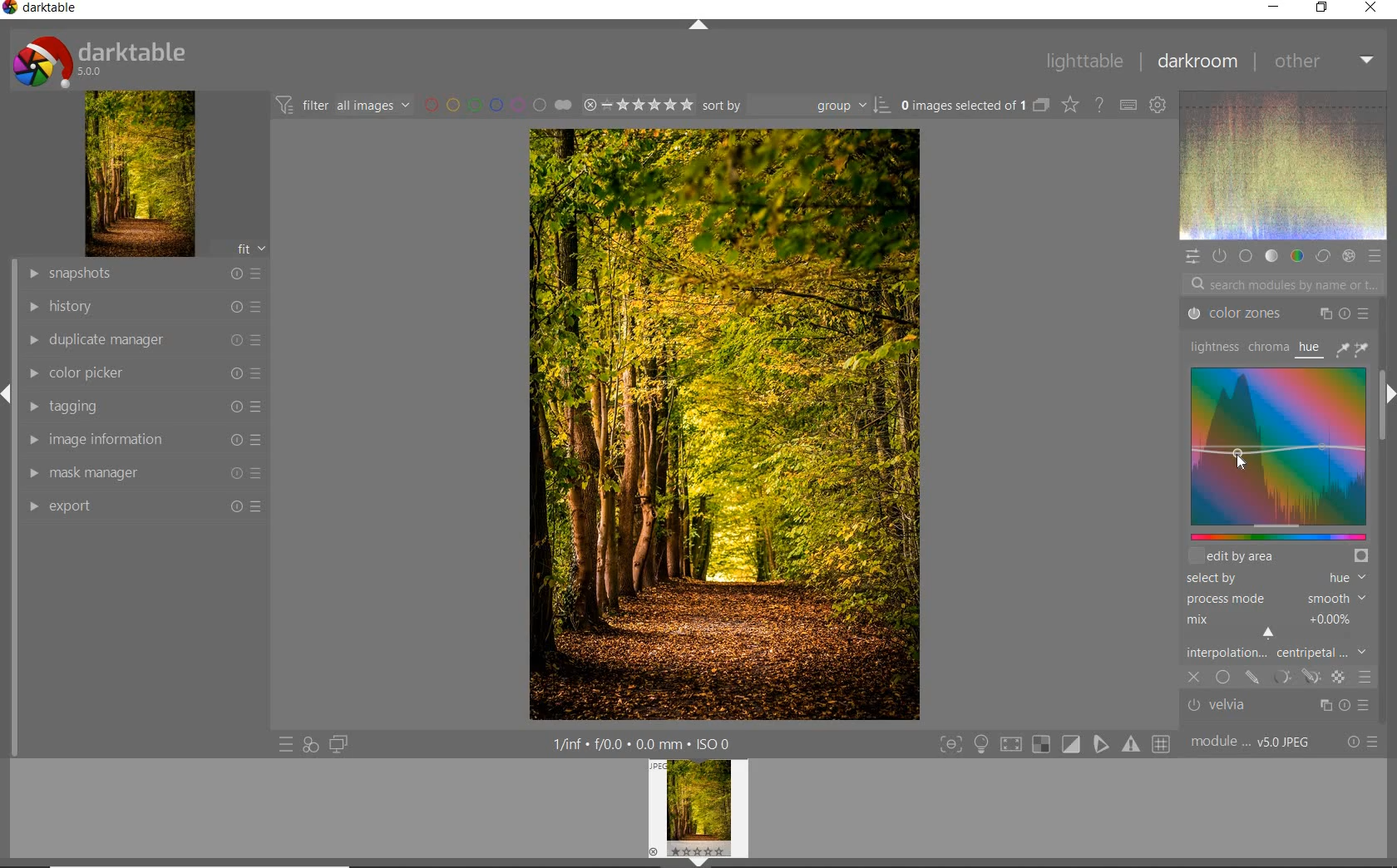 This screenshot has width=1397, height=868. Describe the element at coordinates (795, 105) in the screenshot. I see `SORT` at that location.